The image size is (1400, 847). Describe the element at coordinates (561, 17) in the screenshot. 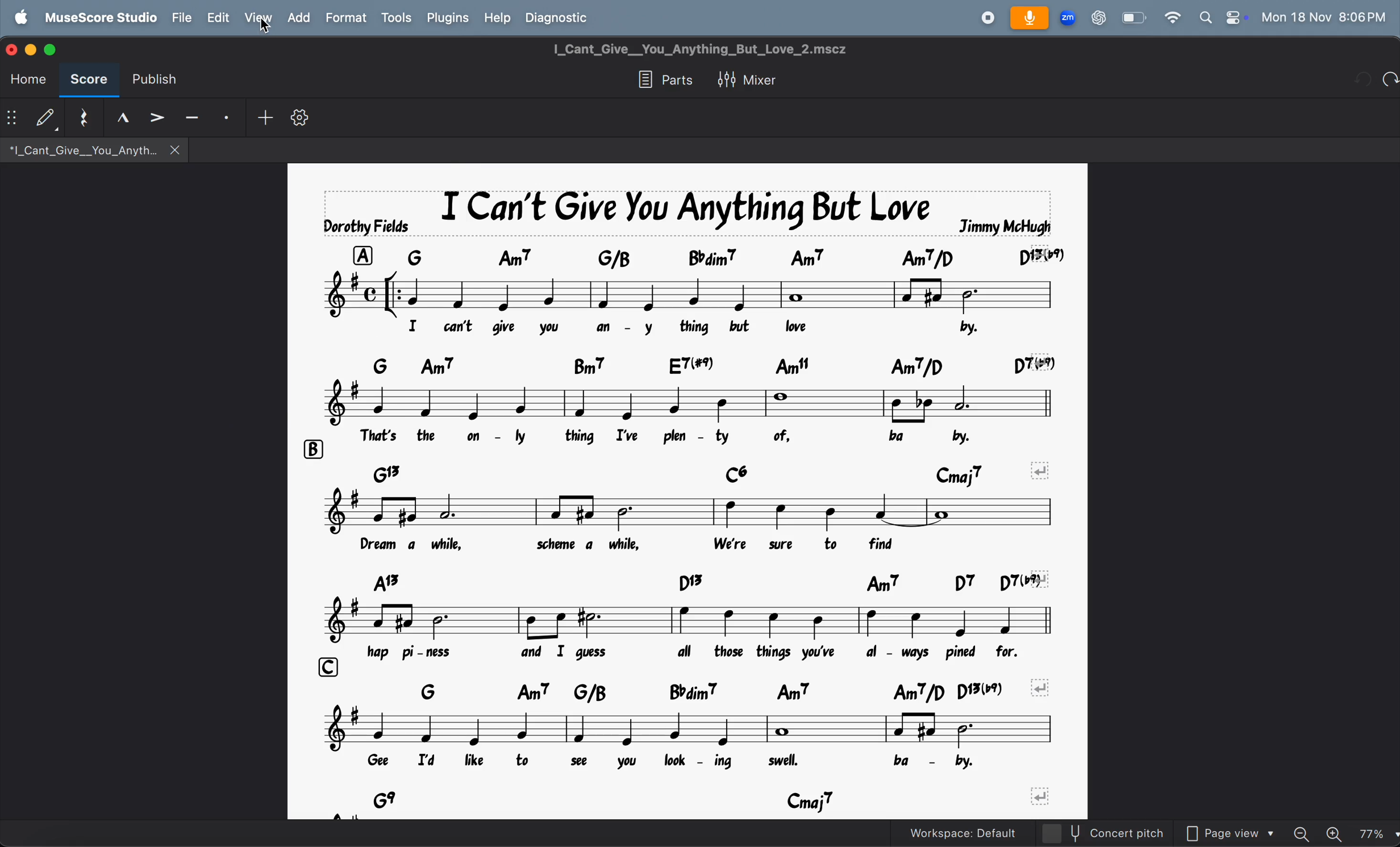

I see `diagnostic` at that location.